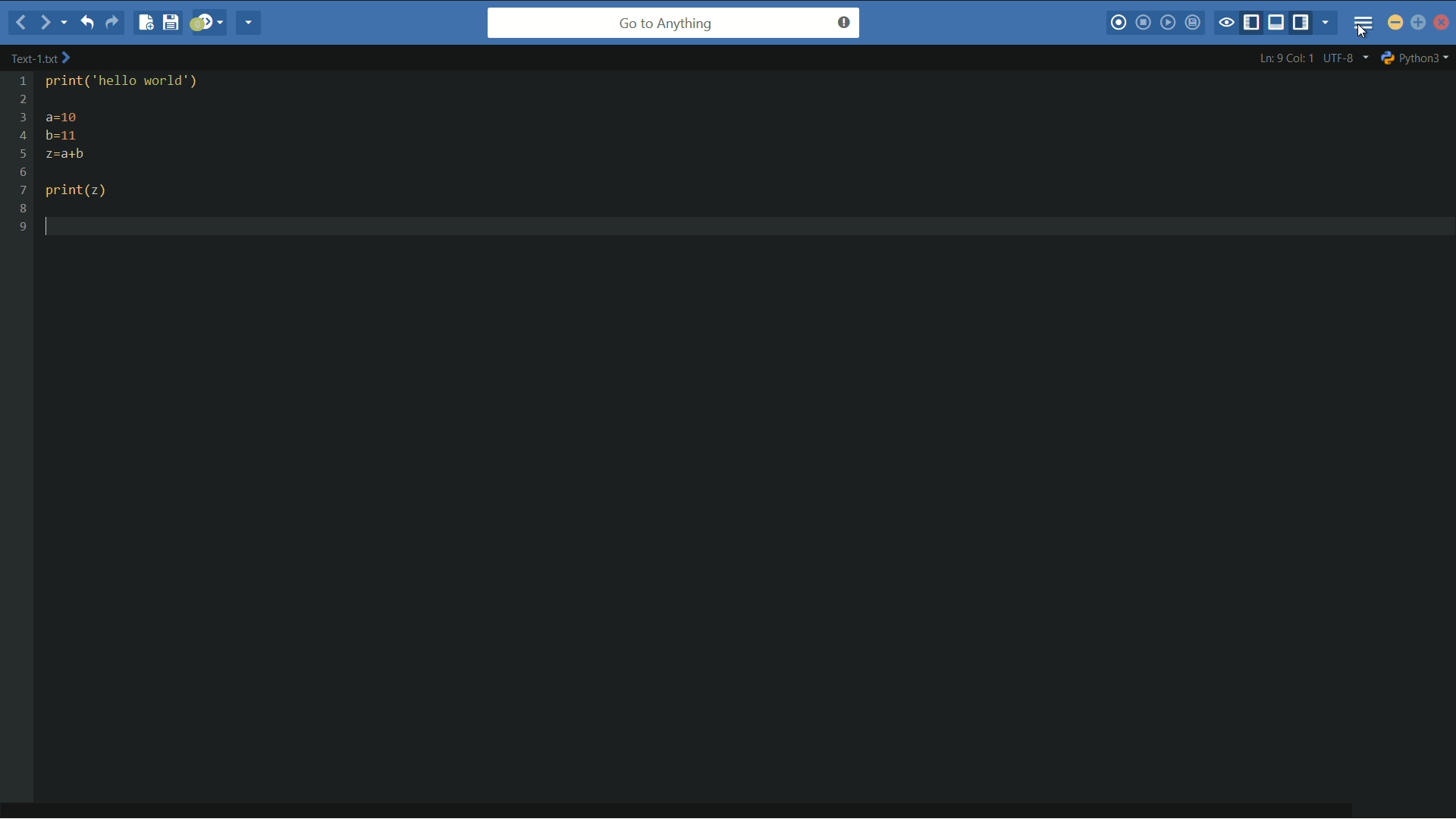  What do you see at coordinates (1227, 22) in the screenshot?
I see `toggle focus mode` at bounding box center [1227, 22].